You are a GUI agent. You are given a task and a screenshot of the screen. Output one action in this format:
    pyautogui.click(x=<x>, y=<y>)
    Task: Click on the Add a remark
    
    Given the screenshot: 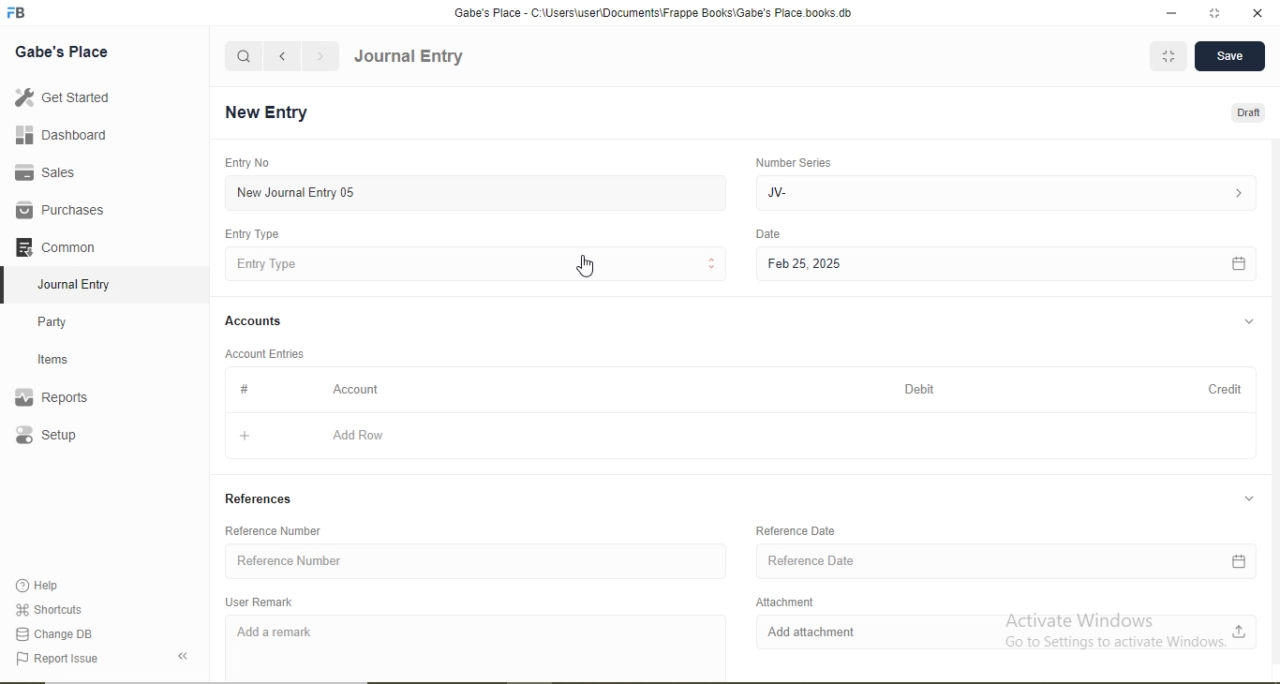 What is the action you would take?
    pyautogui.click(x=478, y=645)
    